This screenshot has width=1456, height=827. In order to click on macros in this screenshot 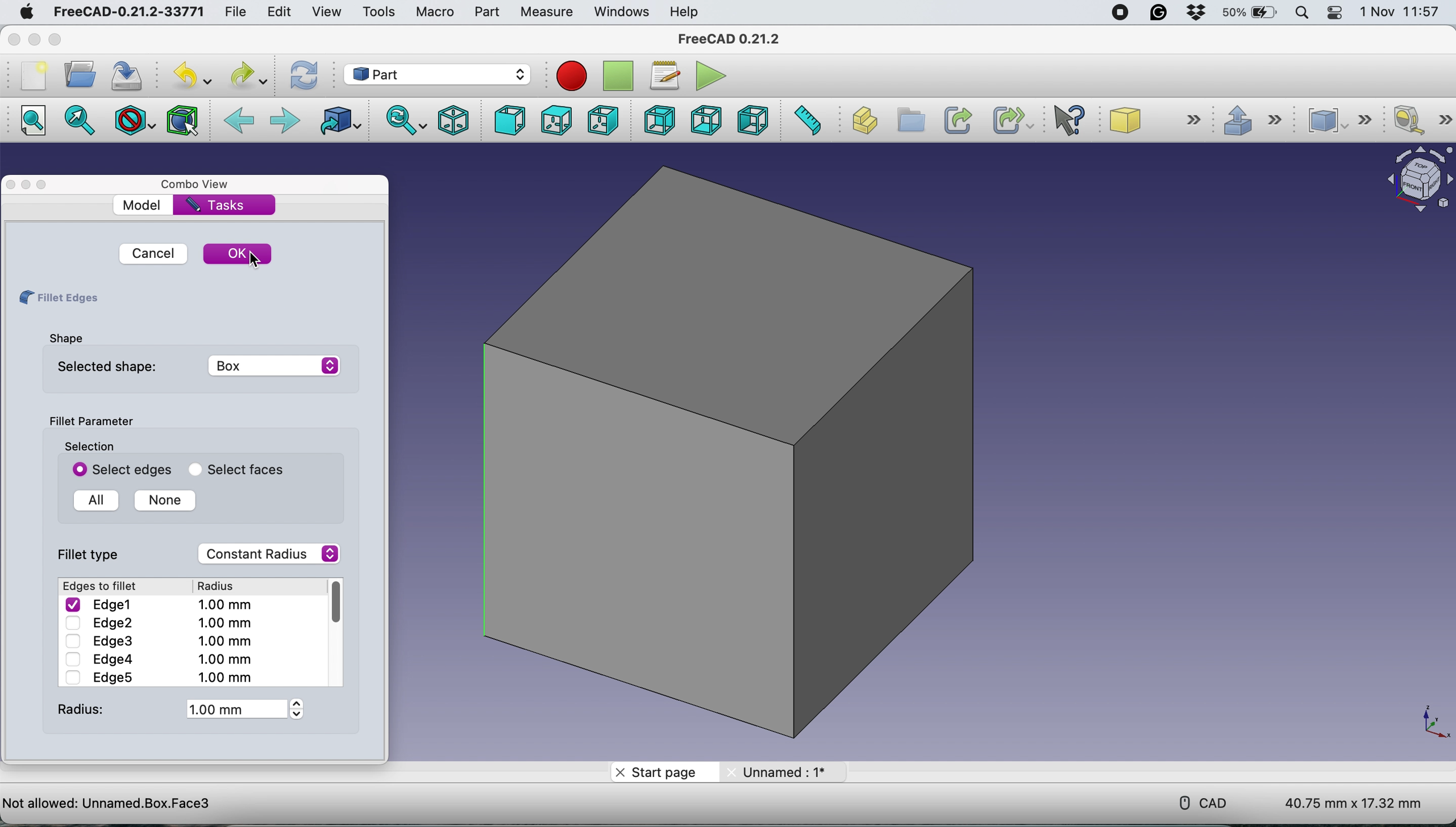, I will do `click(663, 77)`.